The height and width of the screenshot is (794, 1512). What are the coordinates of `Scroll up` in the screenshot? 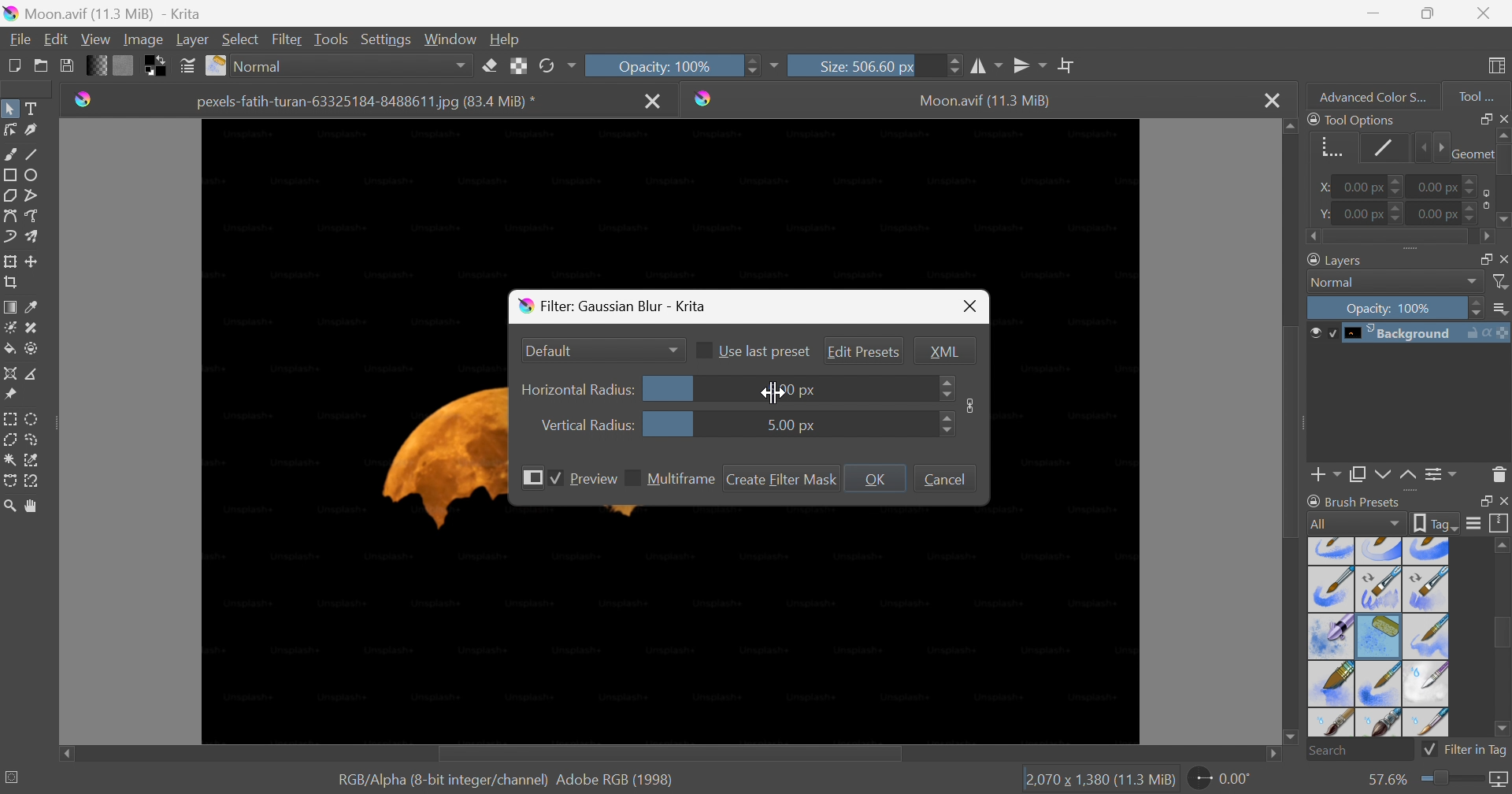 It's located at (1503, 134).